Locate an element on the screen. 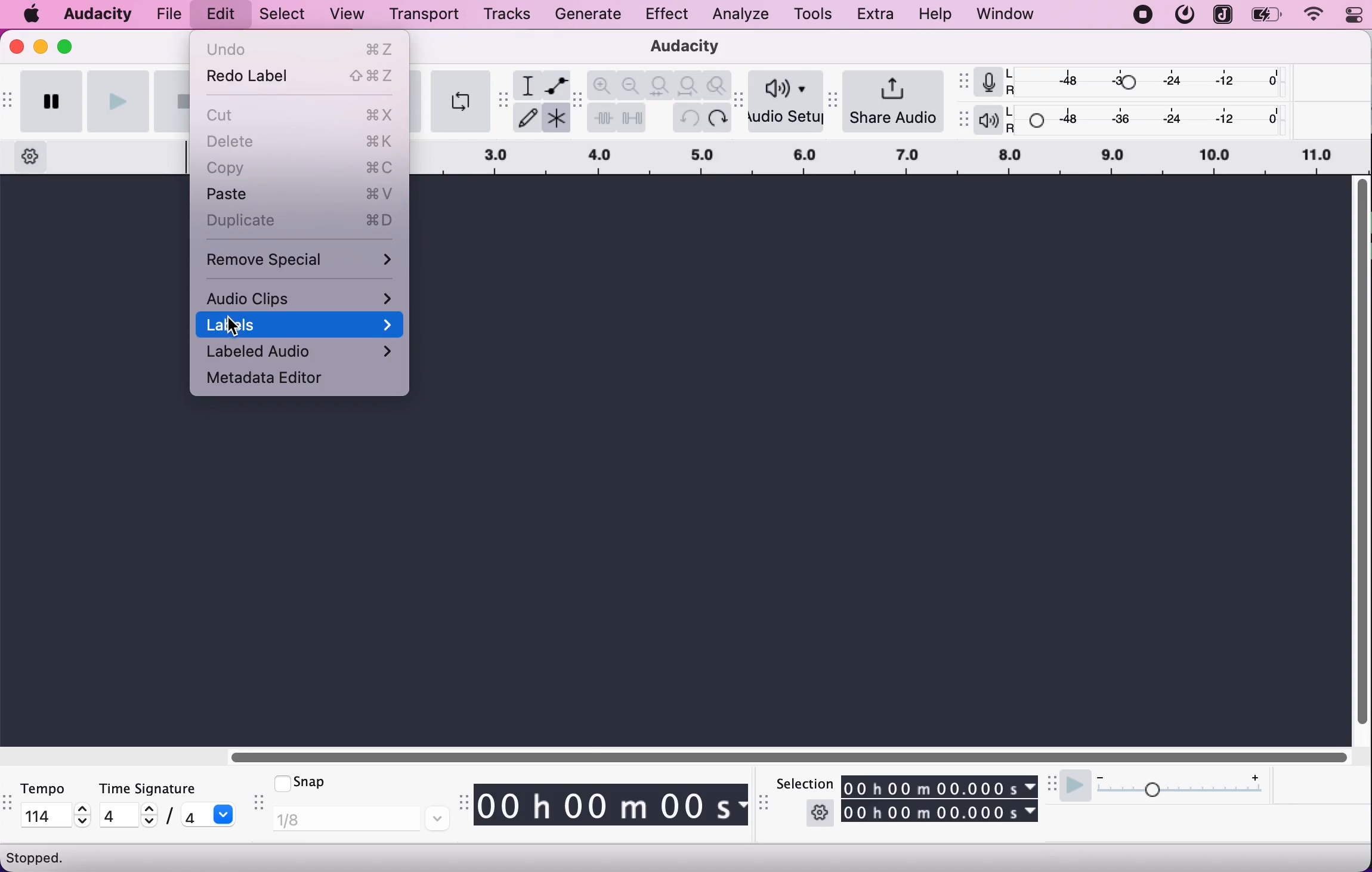  select is located at coordinates (280, 15).